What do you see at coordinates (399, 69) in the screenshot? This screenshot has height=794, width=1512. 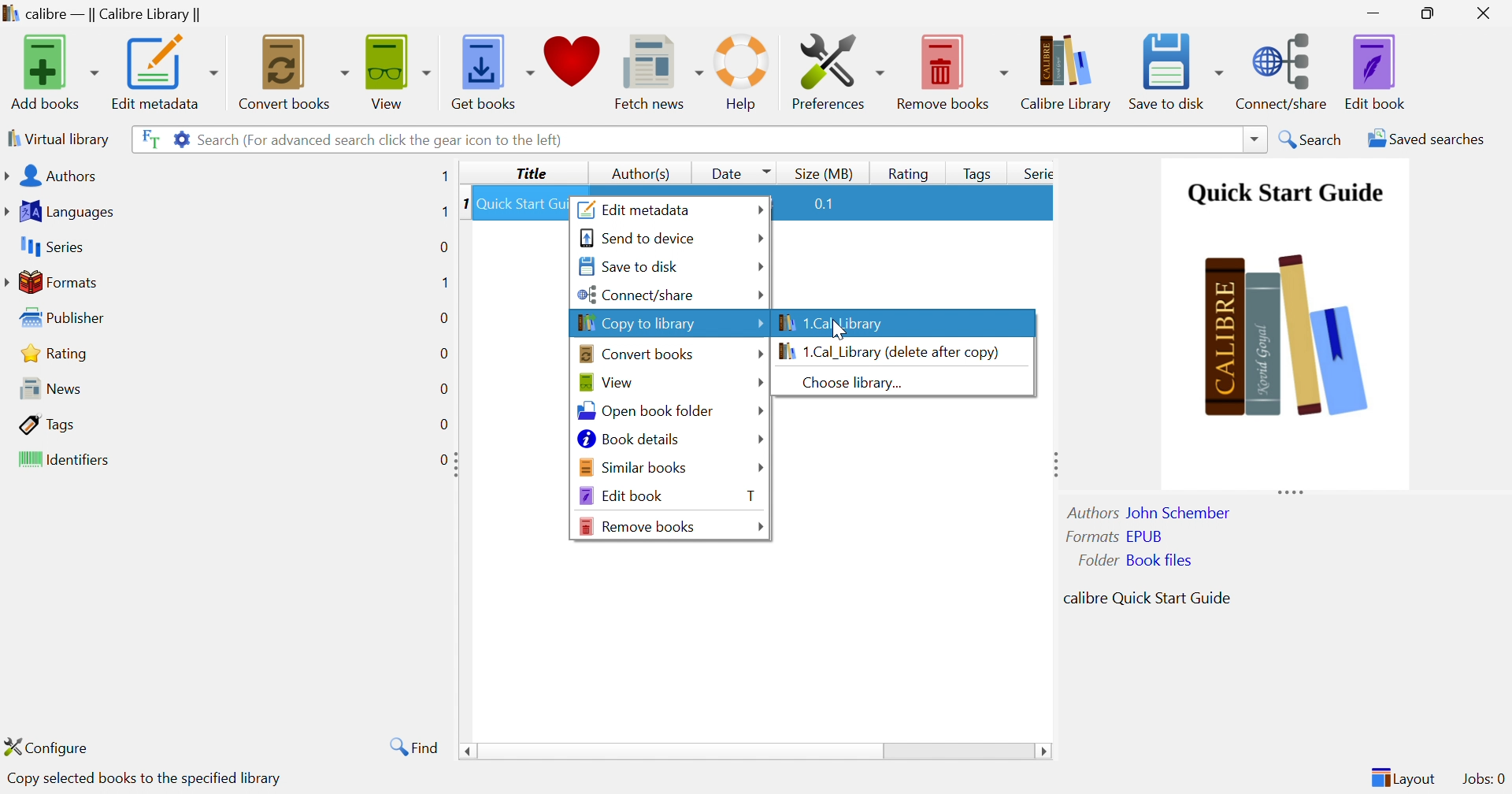 I see `View` at bounding box center [399, 69].